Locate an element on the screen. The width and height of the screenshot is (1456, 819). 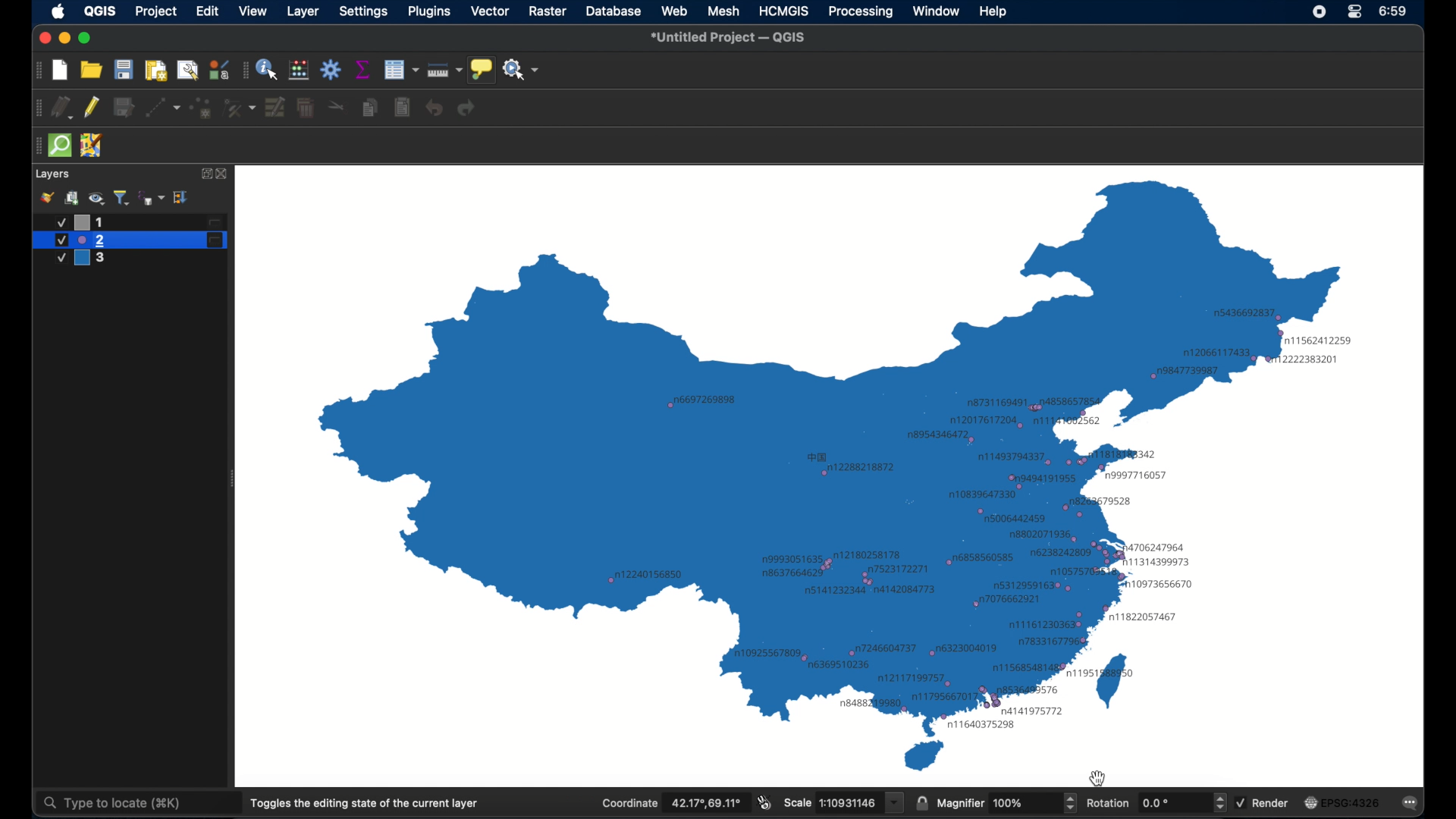
current crs is located at coordinates (1343, 802).